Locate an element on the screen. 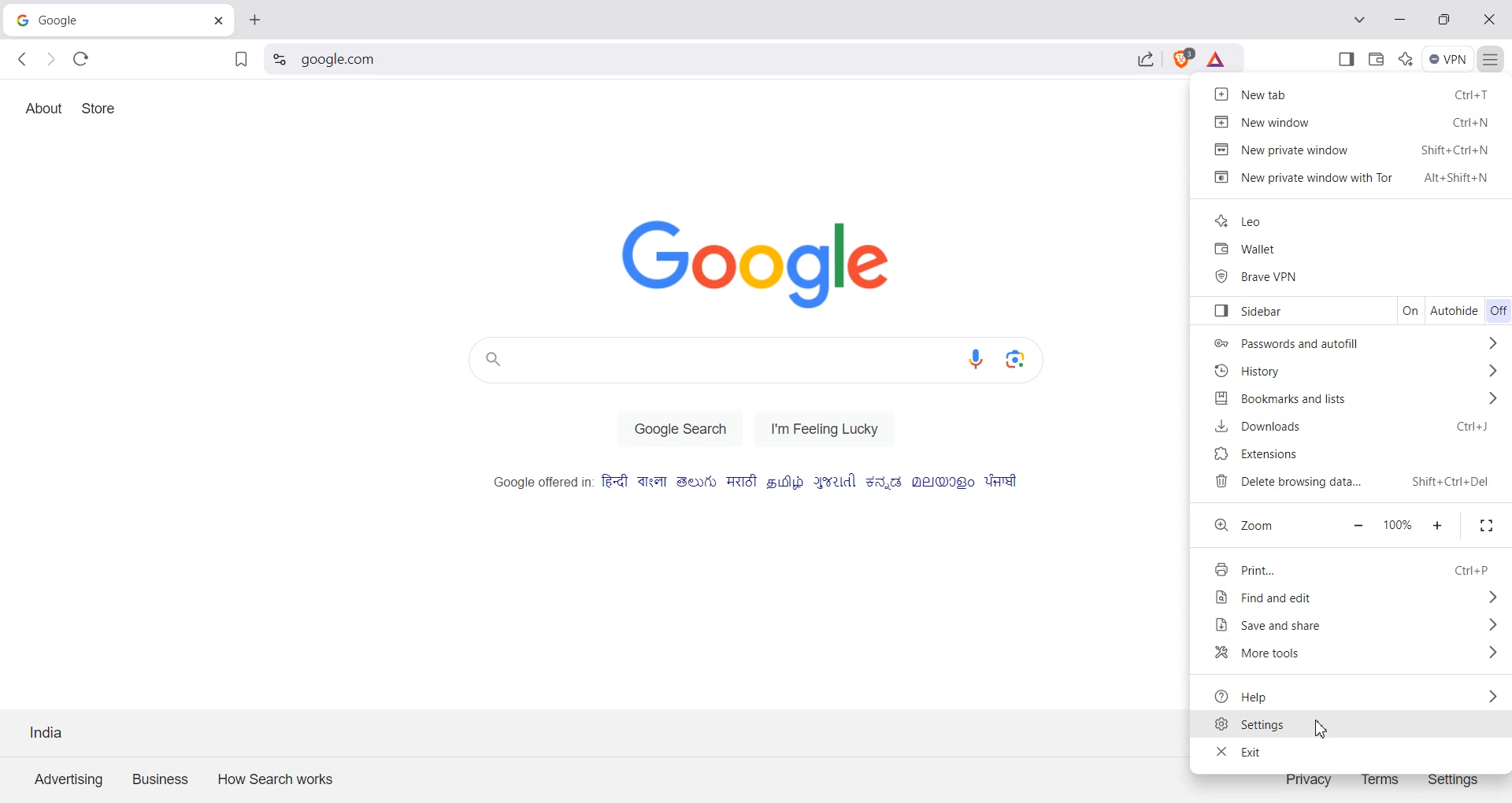 The width and height of the screenshot is (1512, 803). Autohide is located at coordinates (1455, 310).